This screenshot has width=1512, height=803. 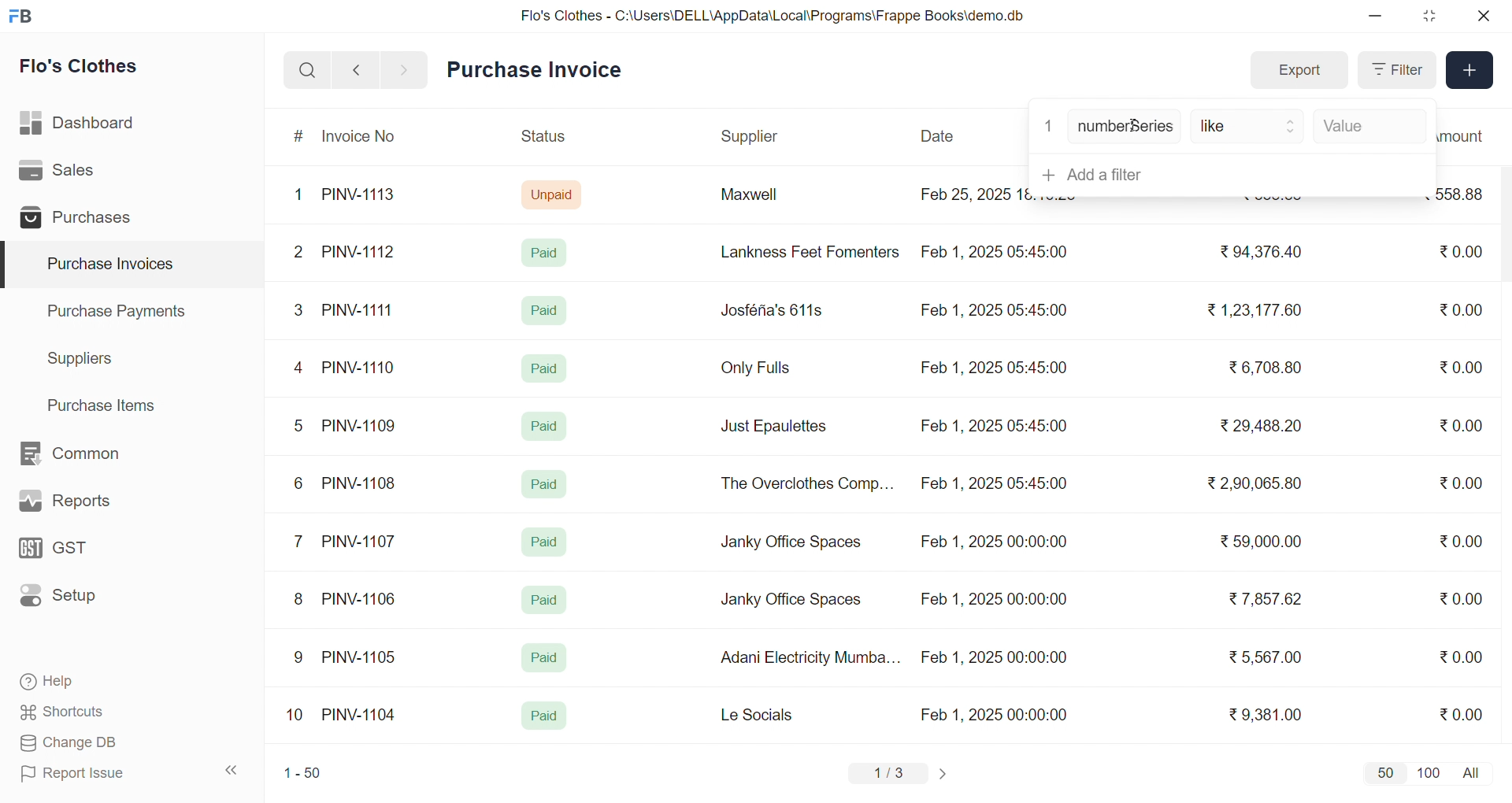 What do you see at coordinates (99, 743) in the screenshot?
I see `Change DB` at bounding box center [99, 743].